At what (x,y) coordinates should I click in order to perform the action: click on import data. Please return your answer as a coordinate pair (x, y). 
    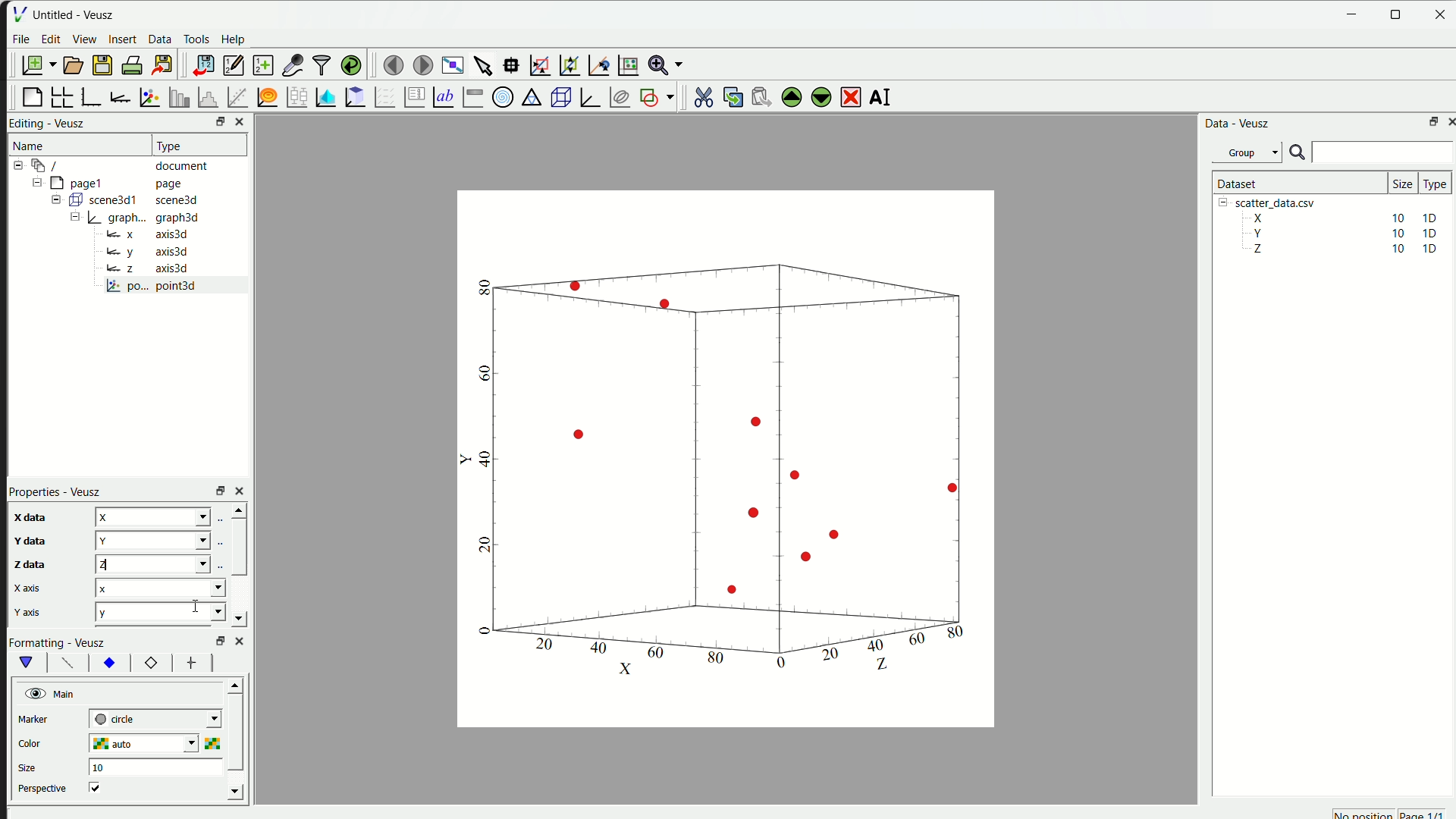
    Looking at the image, I should click on (200, 65).